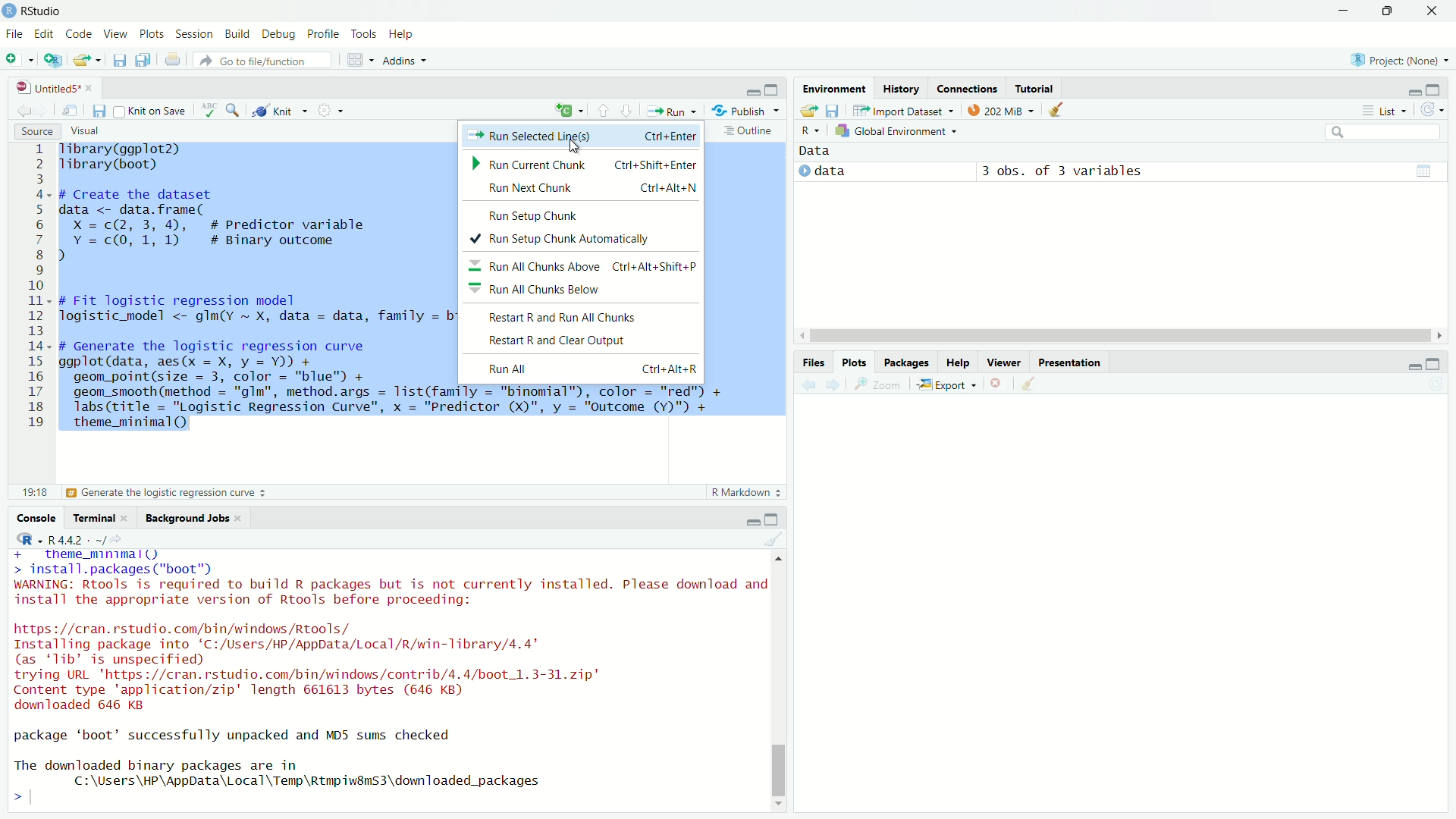 The height and width of the screenshot is (819, 1456). What do you see at coordinates (280, 110) in the screenshot?
I see `Knit` at bounding box center [280, 110].